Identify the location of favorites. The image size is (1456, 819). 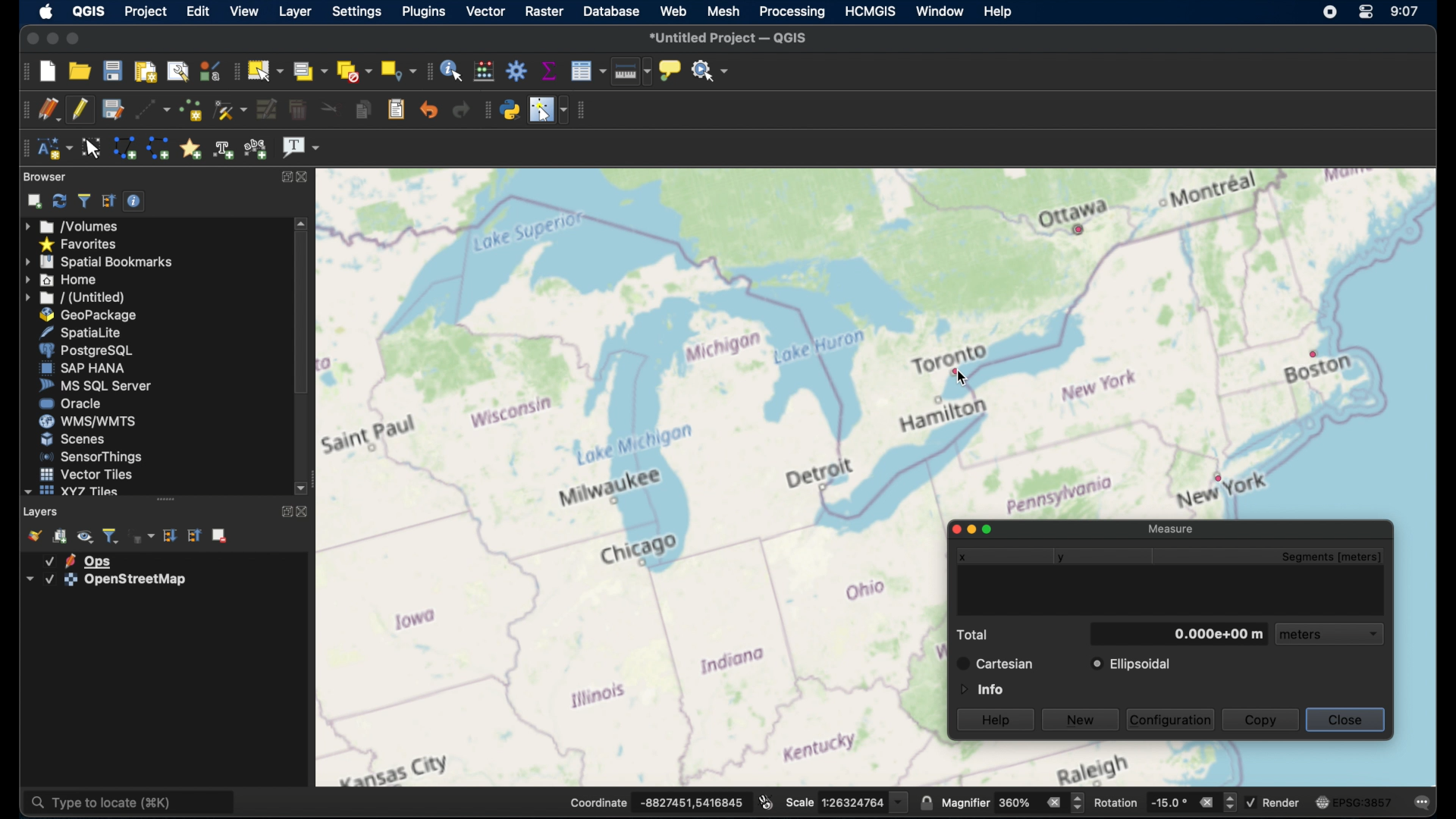
(80, 243).